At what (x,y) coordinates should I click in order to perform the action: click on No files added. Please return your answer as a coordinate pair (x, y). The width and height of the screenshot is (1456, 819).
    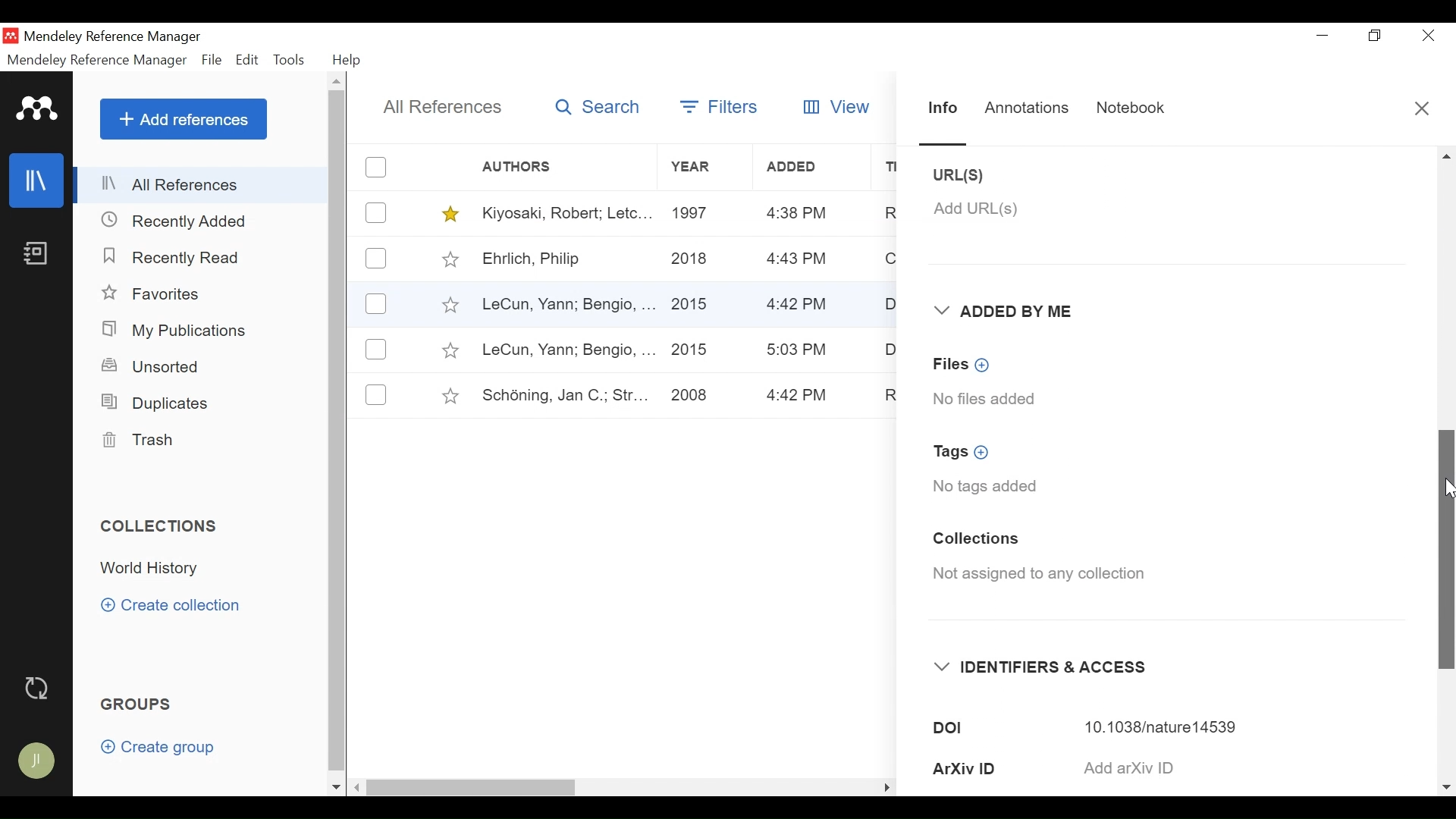
    Looking at the image, I should click on (987, 398).